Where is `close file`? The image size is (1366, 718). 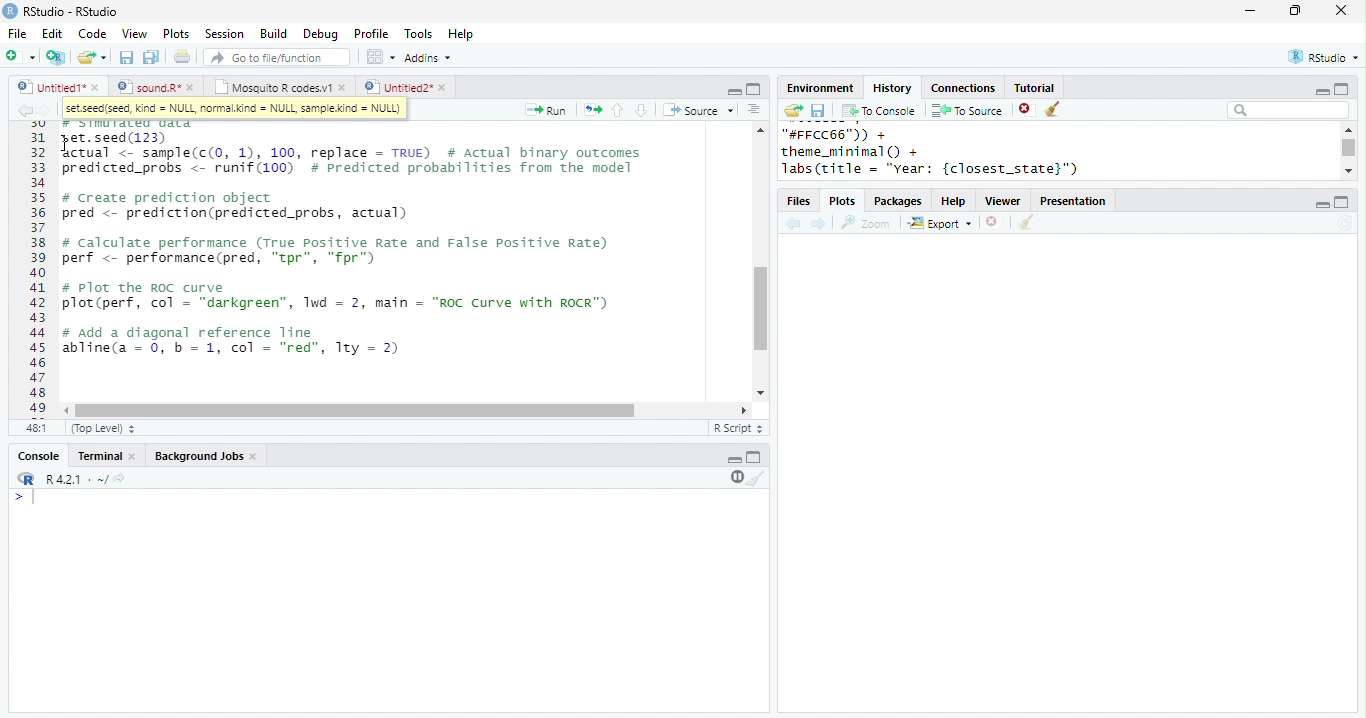 close file is located at coordinates (1027, 110).